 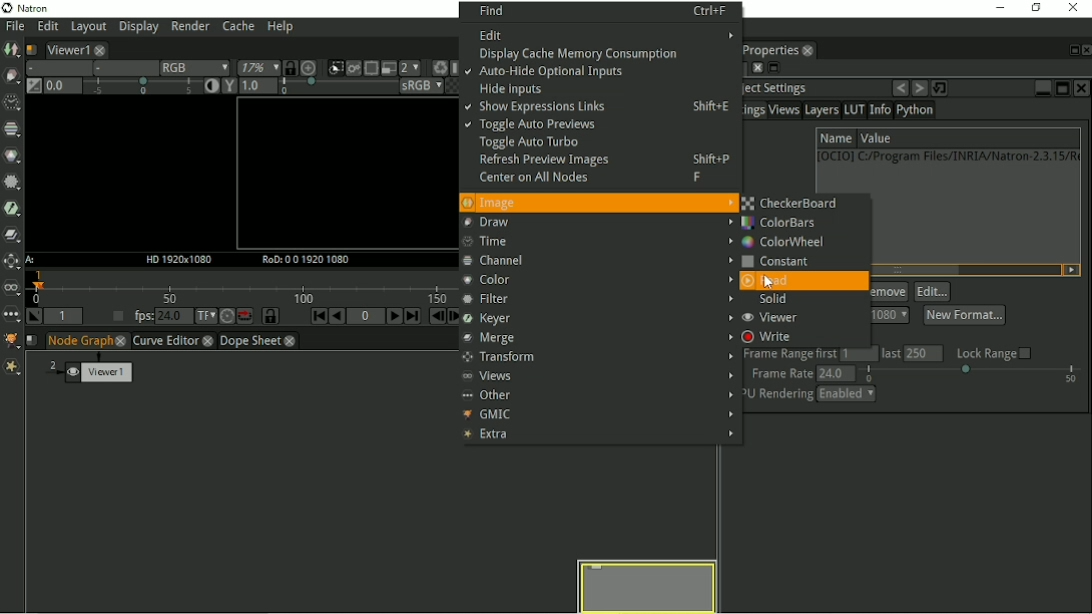 I want to click on Help, so click(x=279, y=28).